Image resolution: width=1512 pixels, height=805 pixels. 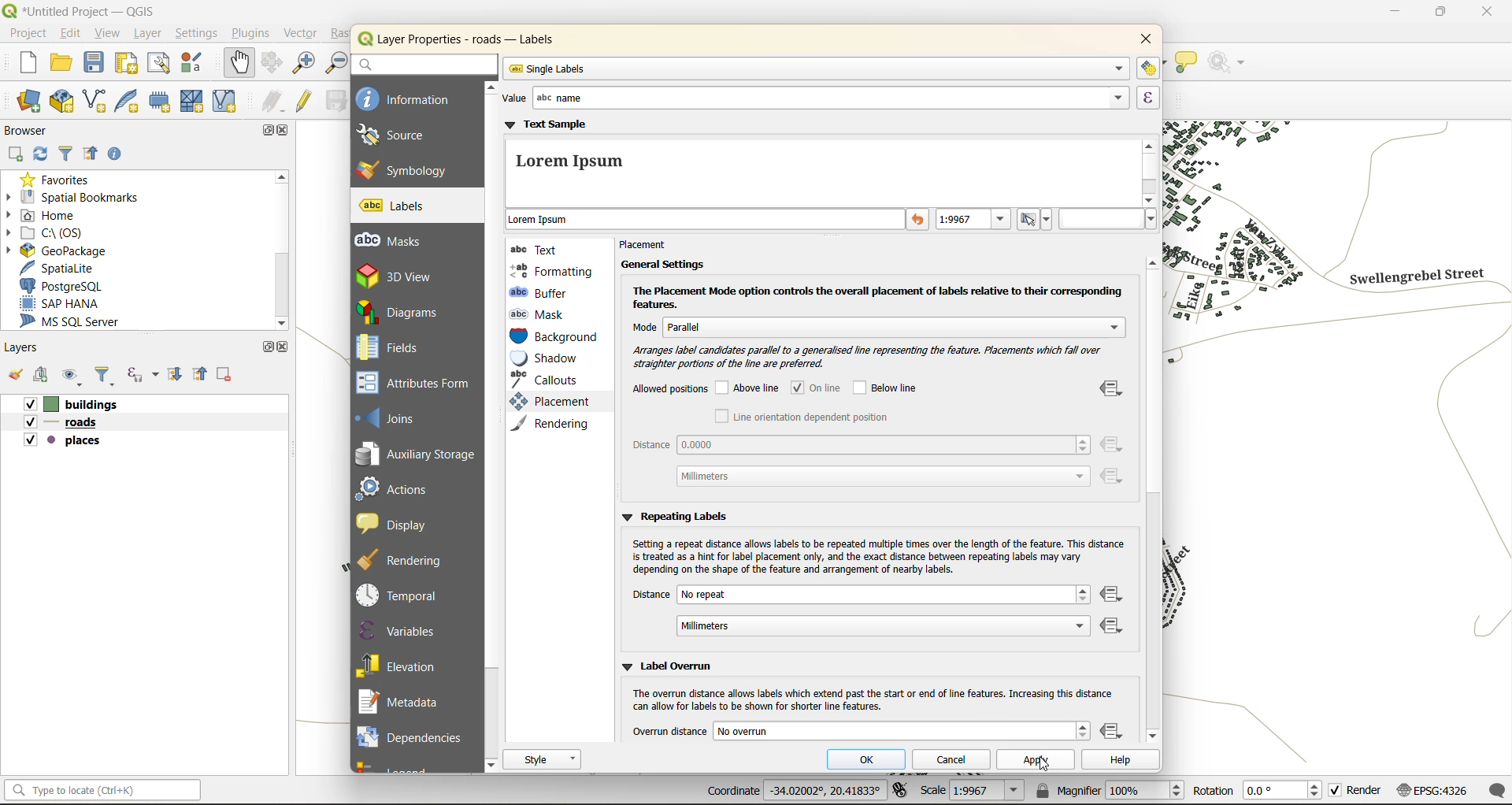 What do you see at coordinates (1149, 68) in the screenshot?
I see `automated placement settings` at bounding box center [1149, 68].